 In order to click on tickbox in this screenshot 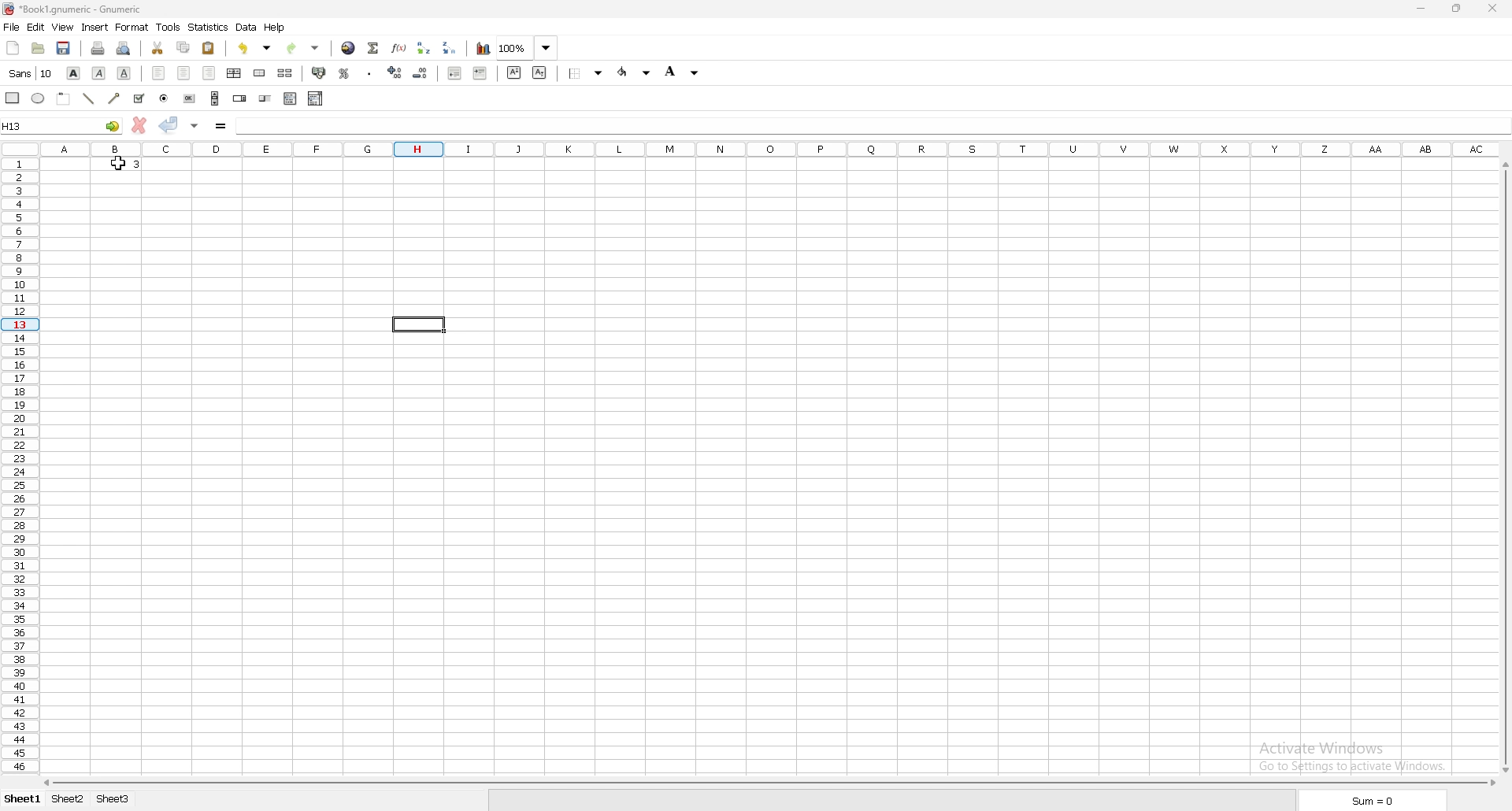, I will do `click(139, 98)`.